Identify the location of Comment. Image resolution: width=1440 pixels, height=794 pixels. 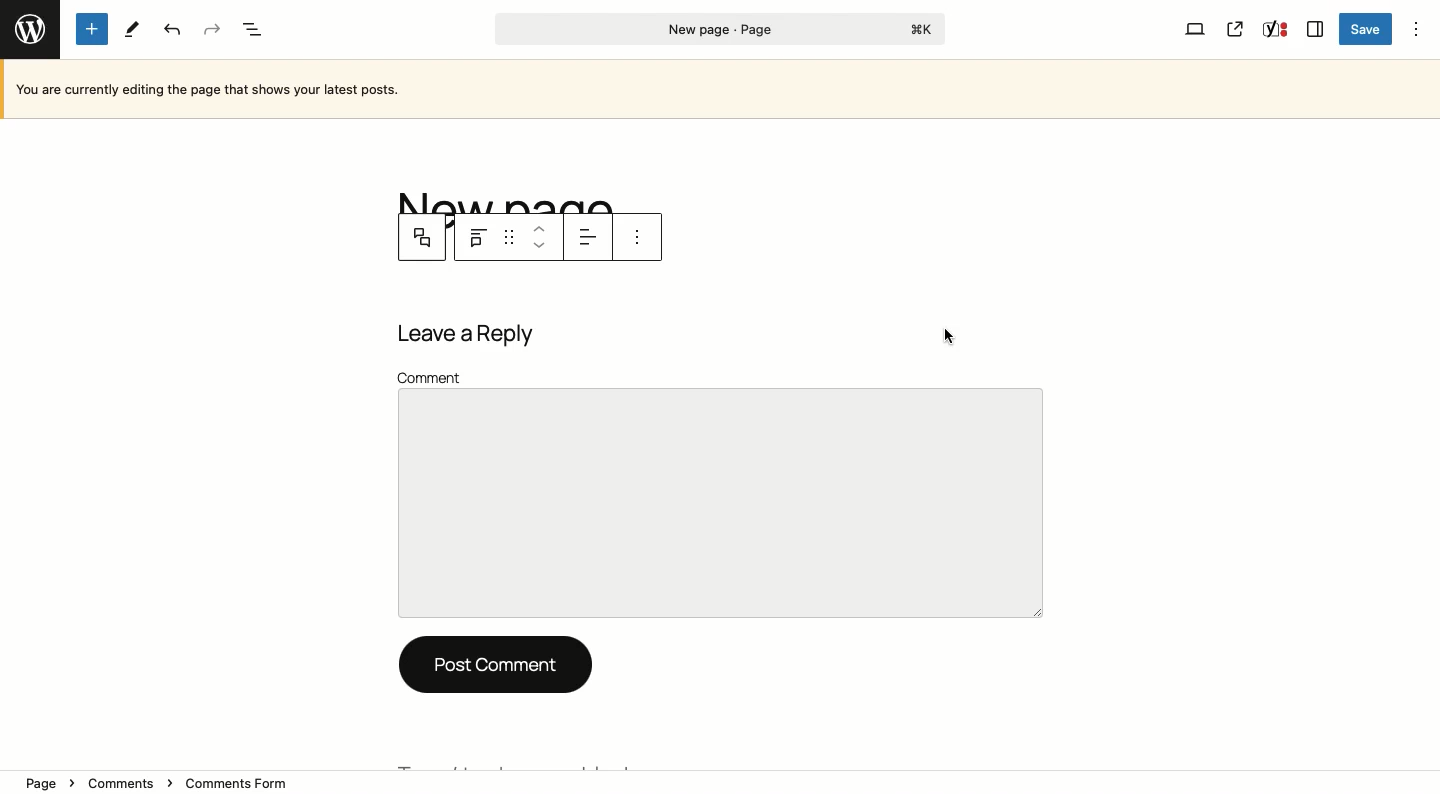
(719, 497).